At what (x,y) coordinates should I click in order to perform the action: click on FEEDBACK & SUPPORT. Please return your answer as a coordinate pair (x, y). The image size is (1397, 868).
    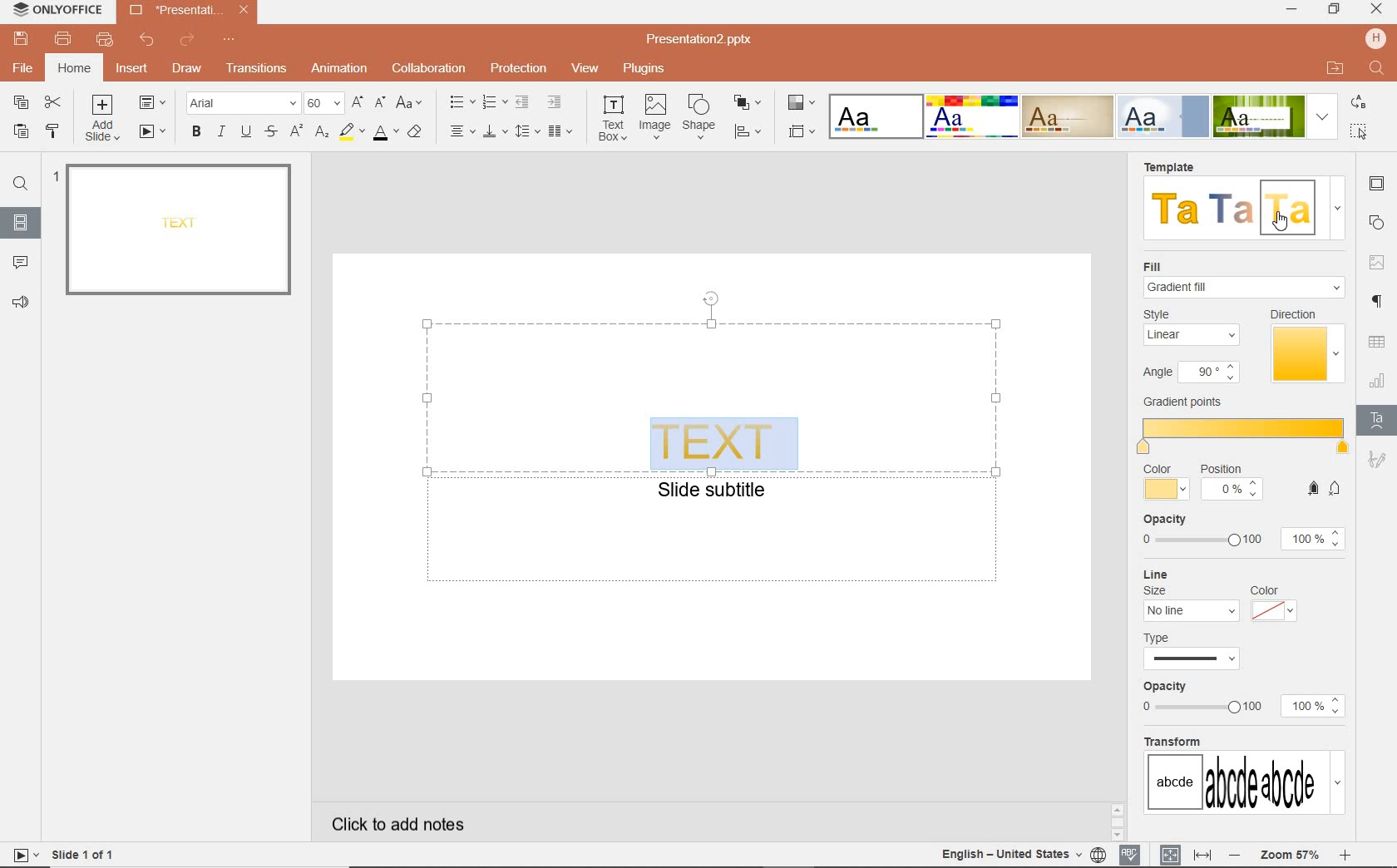
    Looking at the image, I should click on (22, 304).